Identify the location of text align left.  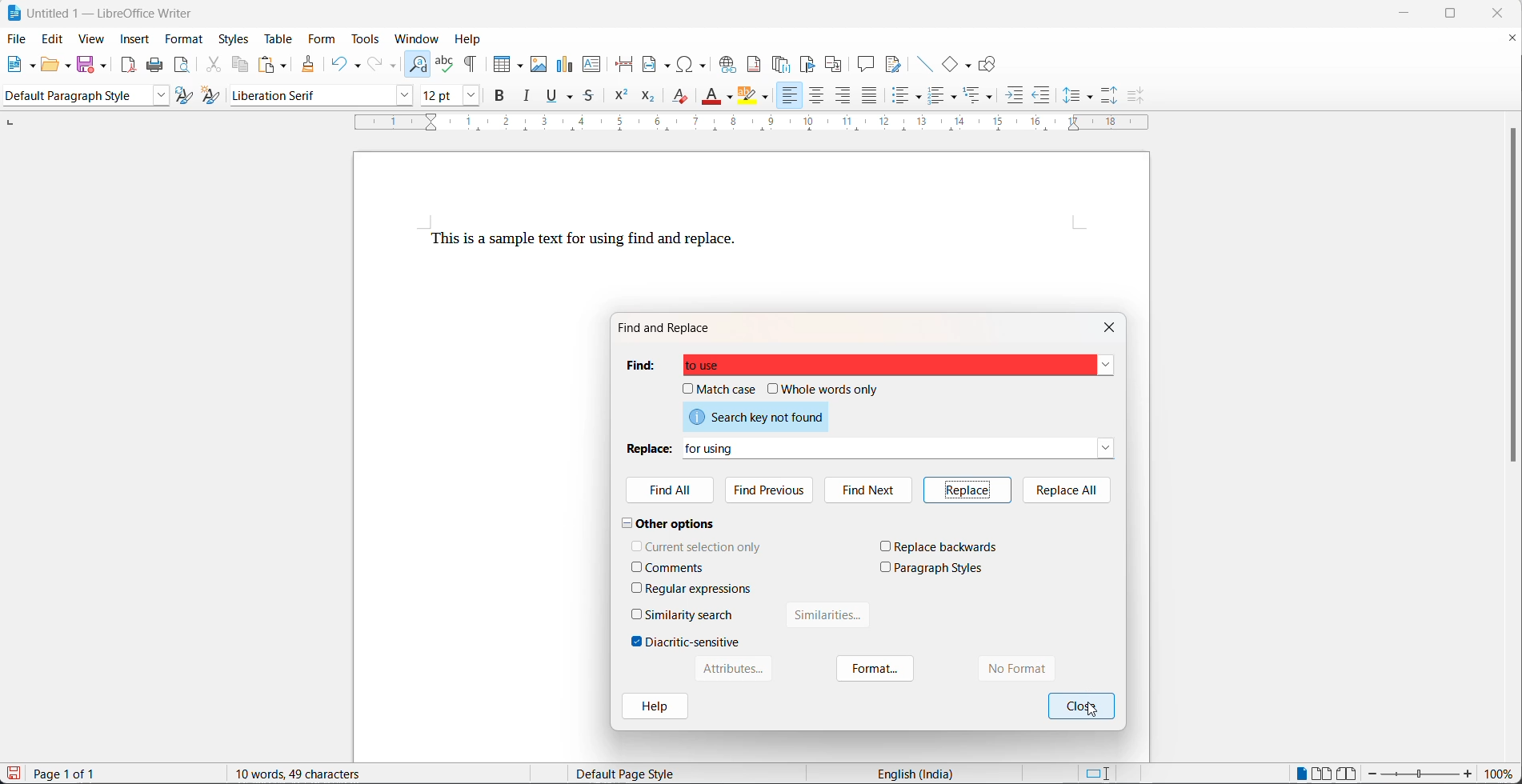
(844, 98).